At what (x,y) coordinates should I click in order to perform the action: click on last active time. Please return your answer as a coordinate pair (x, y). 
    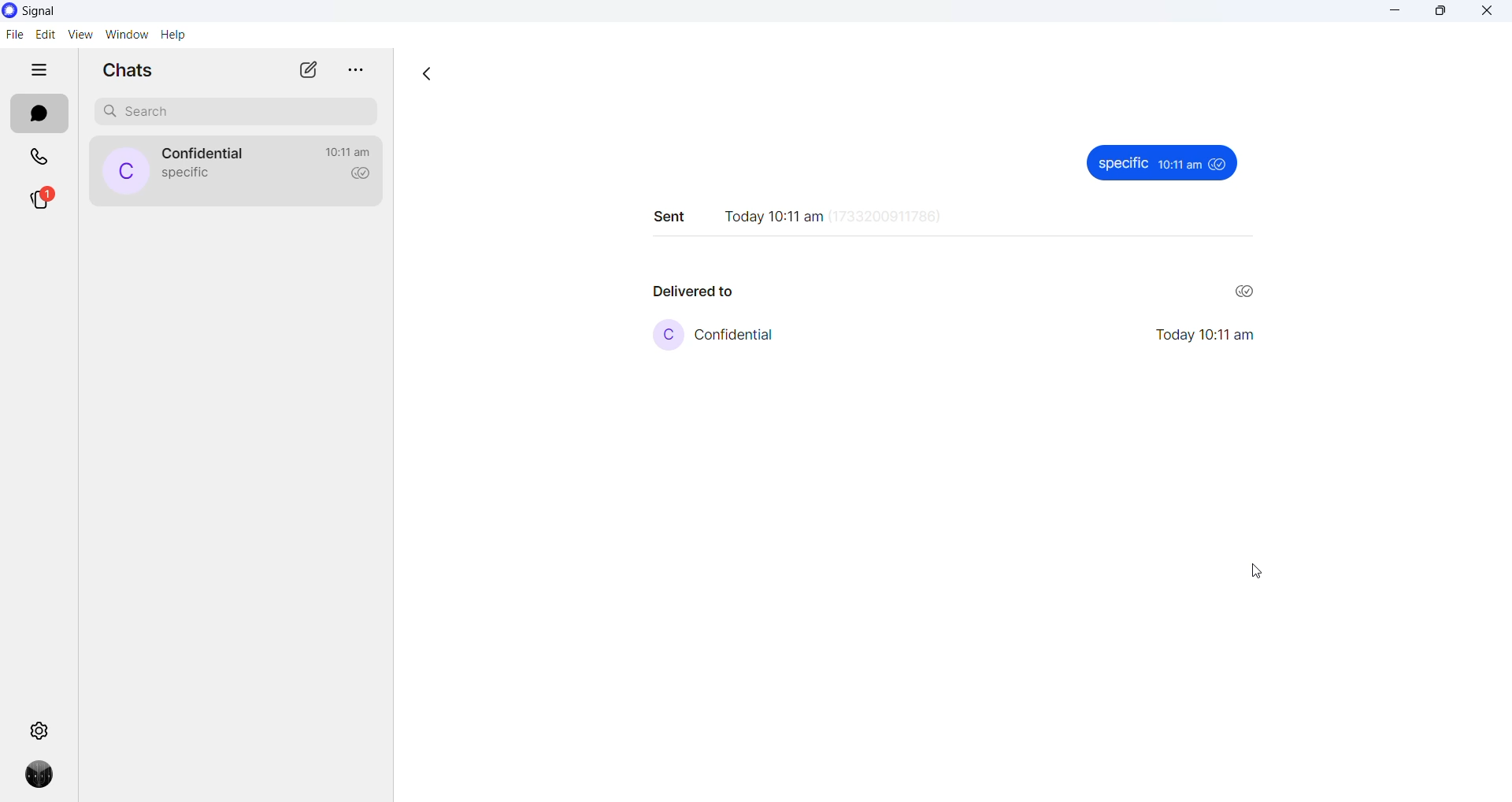
    Looking at the image, I should click on (346, 152).